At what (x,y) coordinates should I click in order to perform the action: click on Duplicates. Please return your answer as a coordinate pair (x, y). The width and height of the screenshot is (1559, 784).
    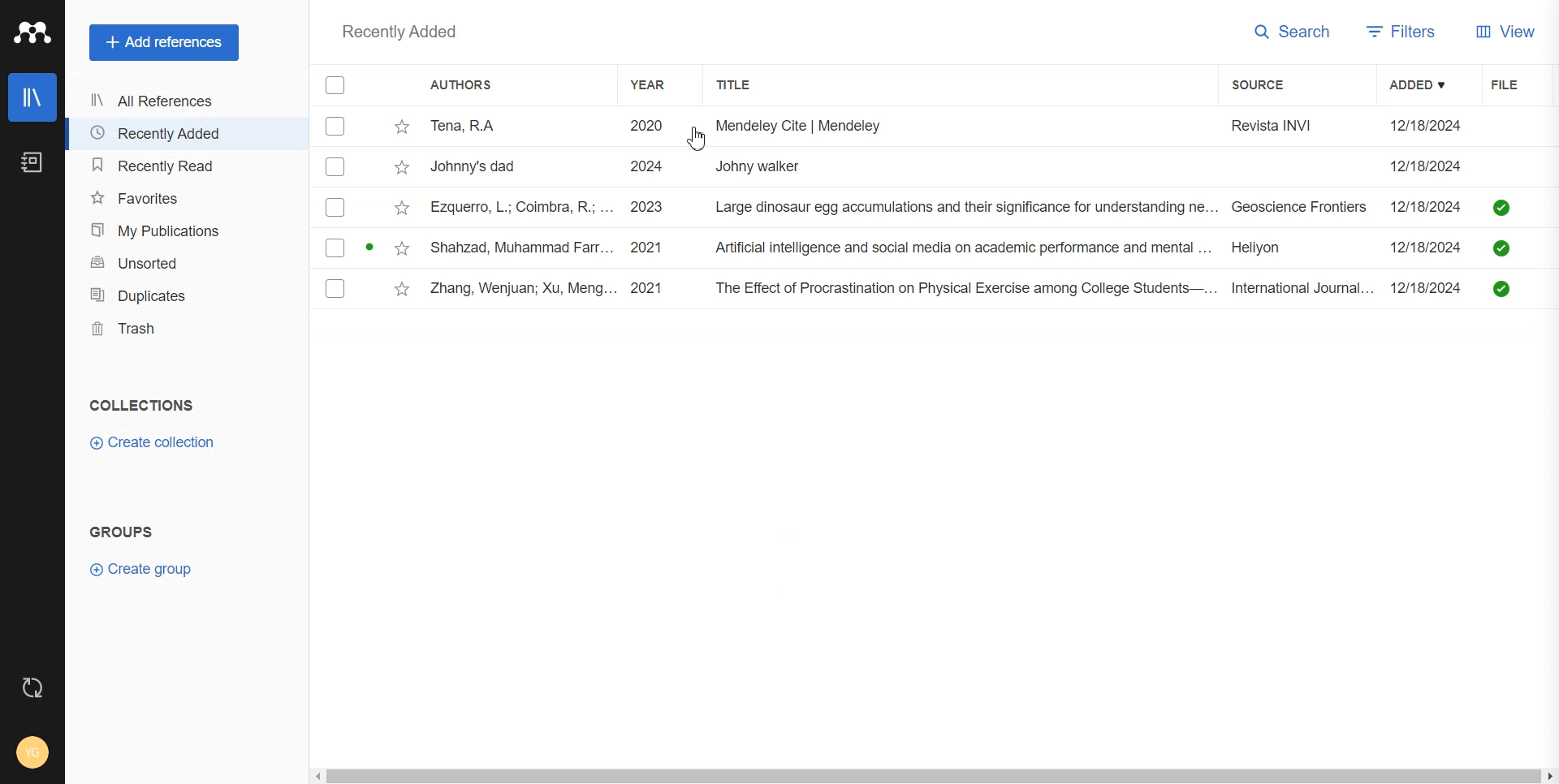
    Looking at the image, I should click on (188, 295).